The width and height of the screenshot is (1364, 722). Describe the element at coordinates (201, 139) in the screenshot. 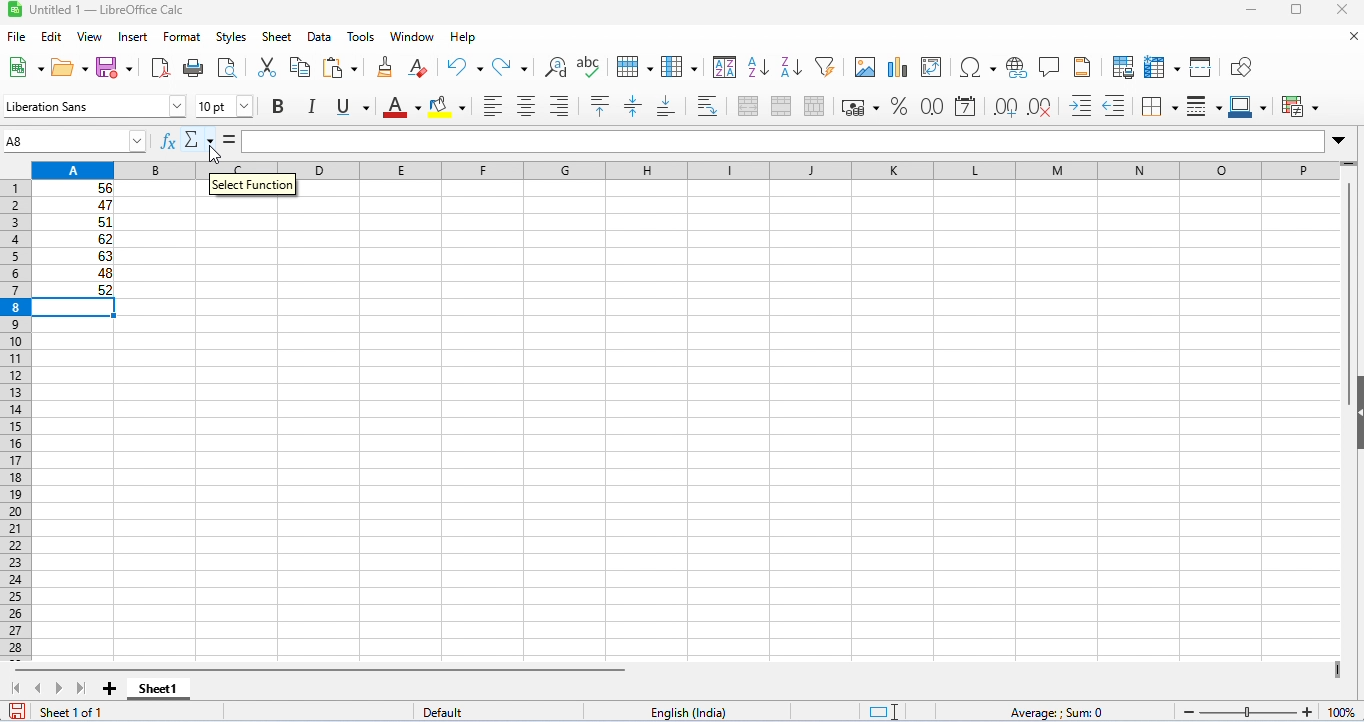

I see `select function` at that location.